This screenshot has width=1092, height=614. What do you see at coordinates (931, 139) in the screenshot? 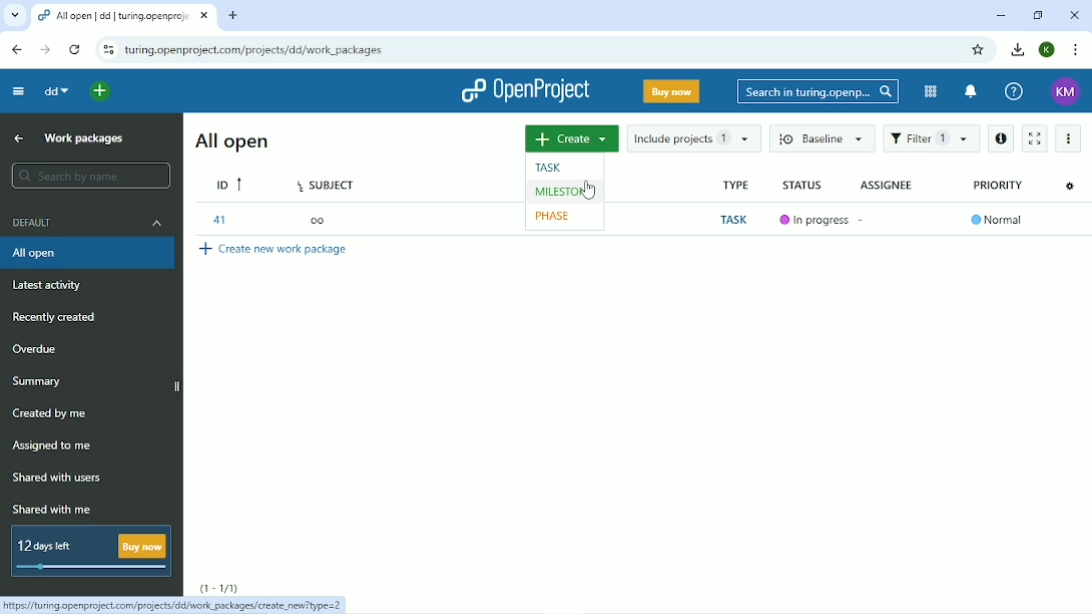
I see `Filter 1` at bounding box center [931, 139].